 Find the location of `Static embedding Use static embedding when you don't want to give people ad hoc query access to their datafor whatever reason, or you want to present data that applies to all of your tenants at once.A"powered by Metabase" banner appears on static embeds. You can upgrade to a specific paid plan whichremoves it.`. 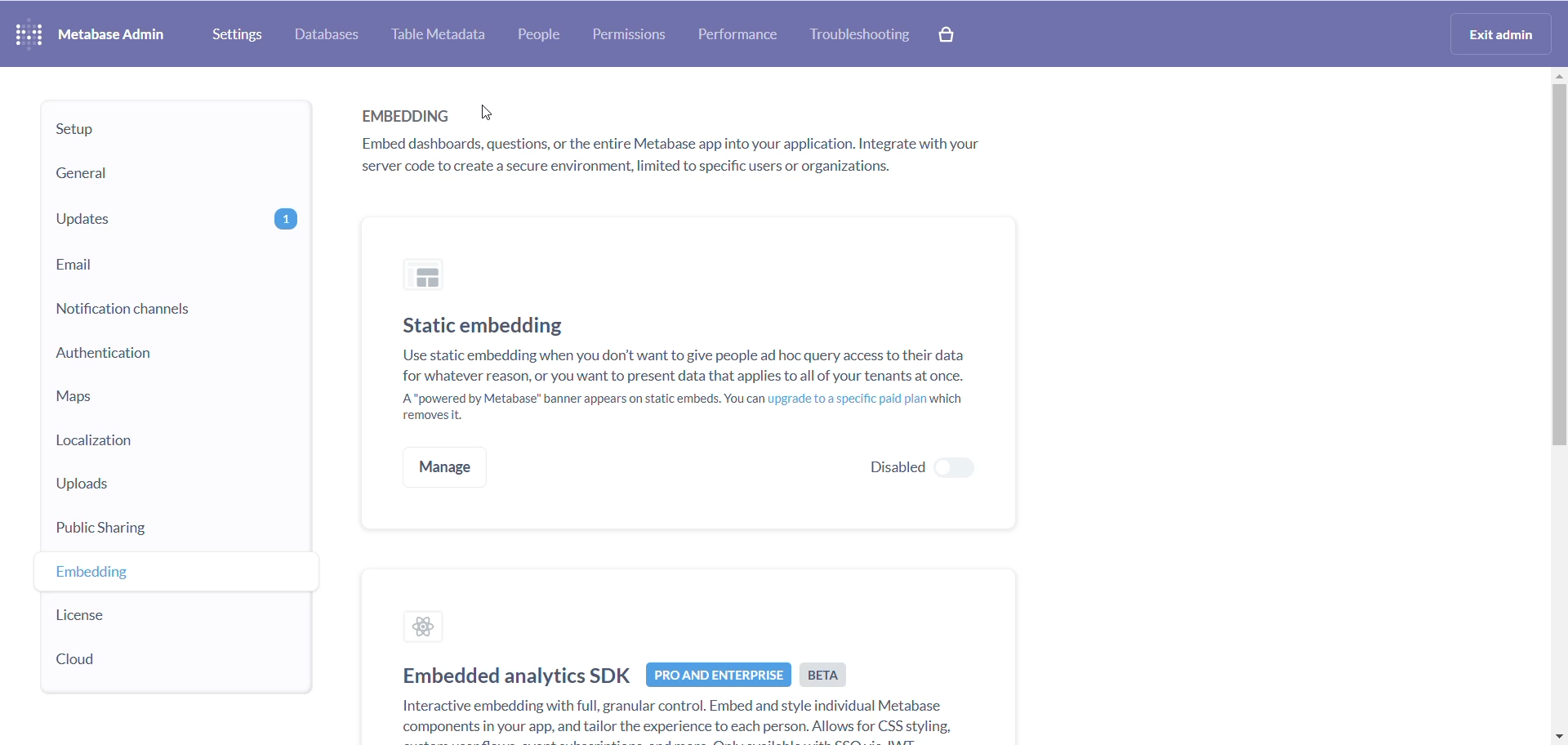

Static embedding Use static embedding when you don't want to give people ad hoc query access to their datafor whatever reason, or you want to present data that applies to all of your tenants at once.A"powered by Metabase" banner appears on static embeds. You can upgrade to a specific paid plan whichremoves it. is located at coordinates (679, 370).